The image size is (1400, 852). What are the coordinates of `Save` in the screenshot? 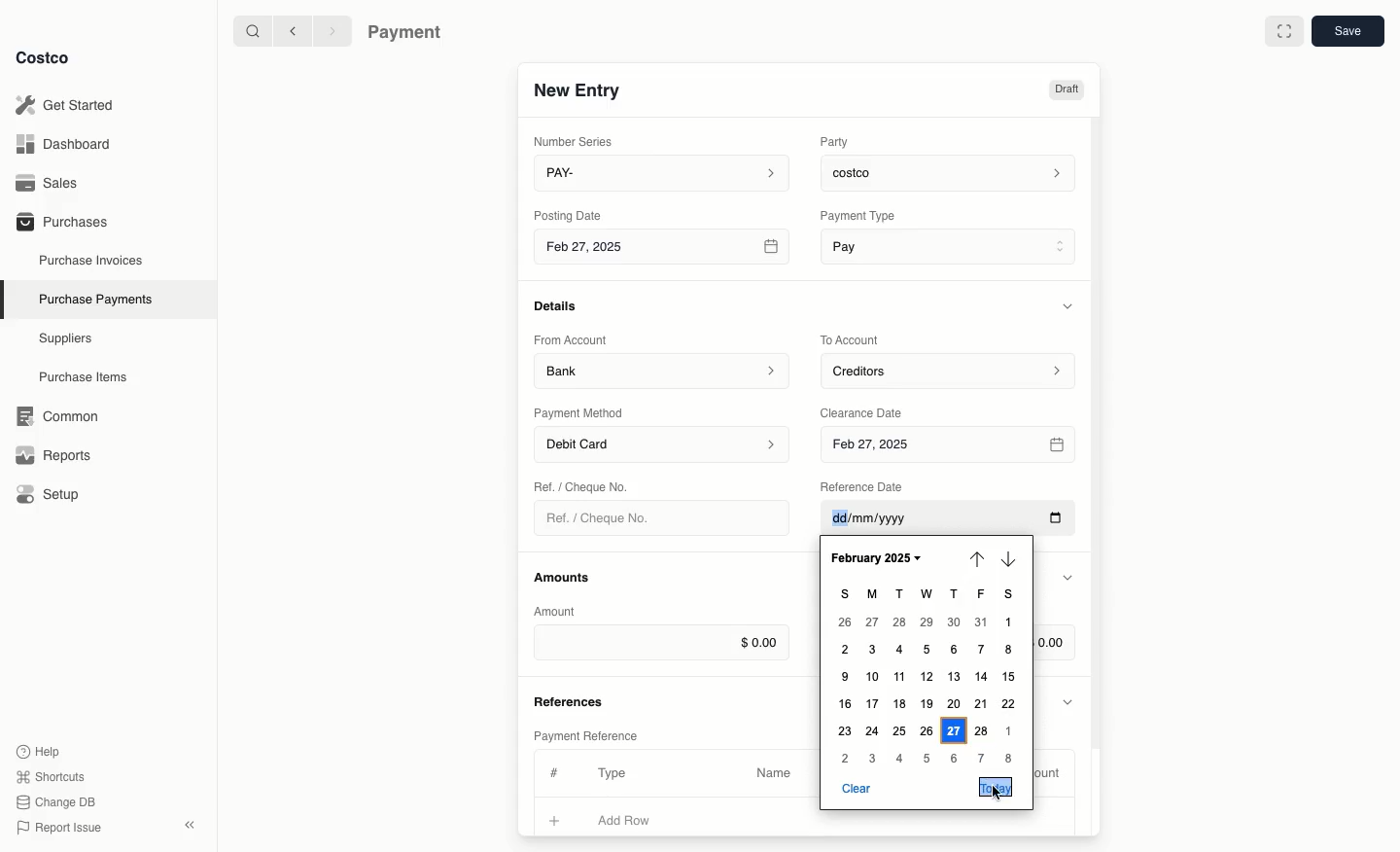 It's located at (1347, 30).